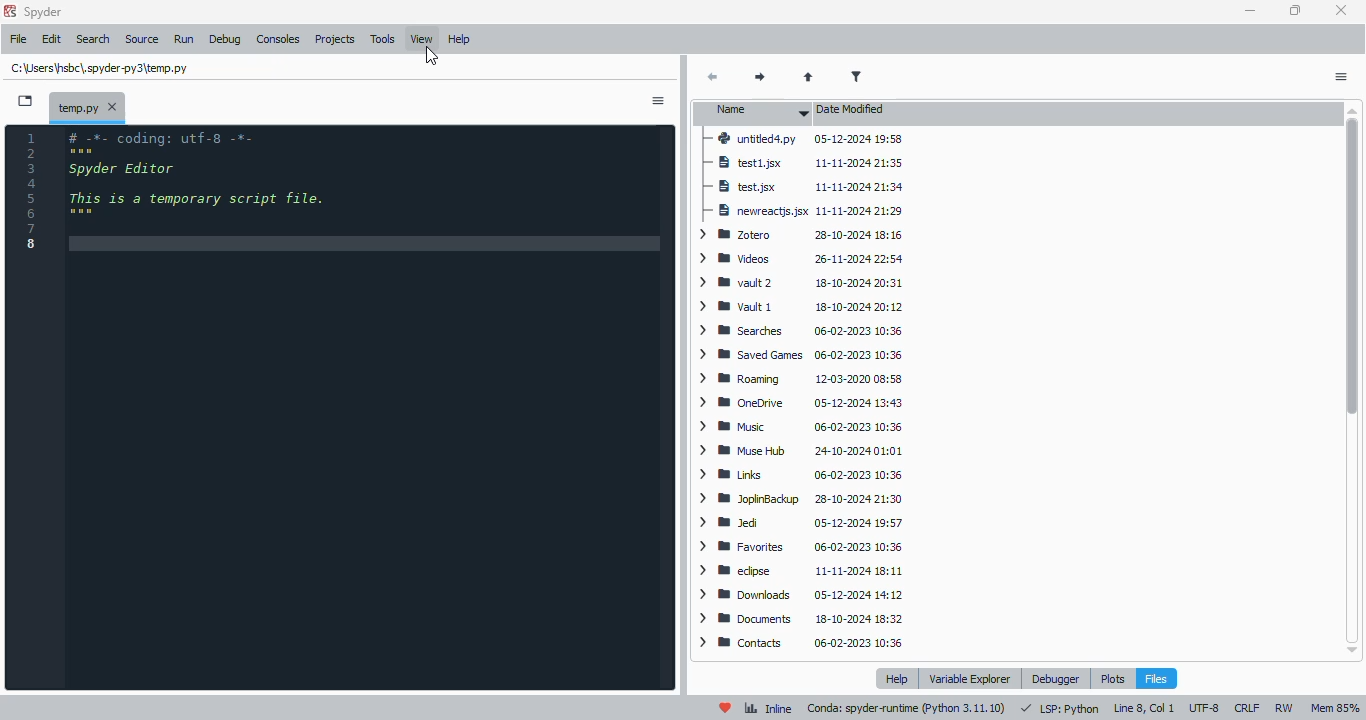  What do you see at coordinates (804, 522) in the screenshot?
I see `Jed` at bounding box center [804, 522].